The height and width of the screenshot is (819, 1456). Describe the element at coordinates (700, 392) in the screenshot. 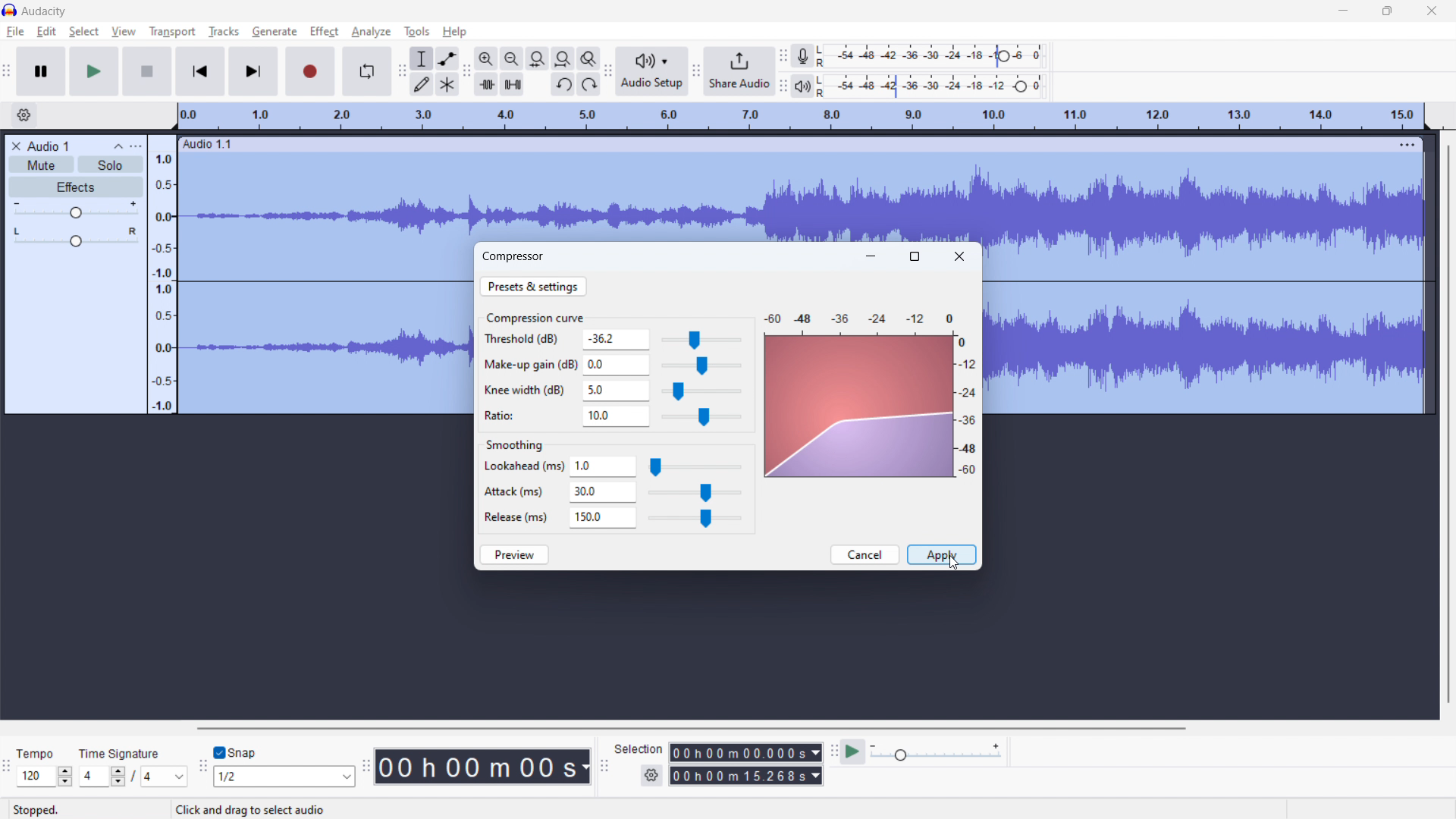

I see `knee width slider` at that location.